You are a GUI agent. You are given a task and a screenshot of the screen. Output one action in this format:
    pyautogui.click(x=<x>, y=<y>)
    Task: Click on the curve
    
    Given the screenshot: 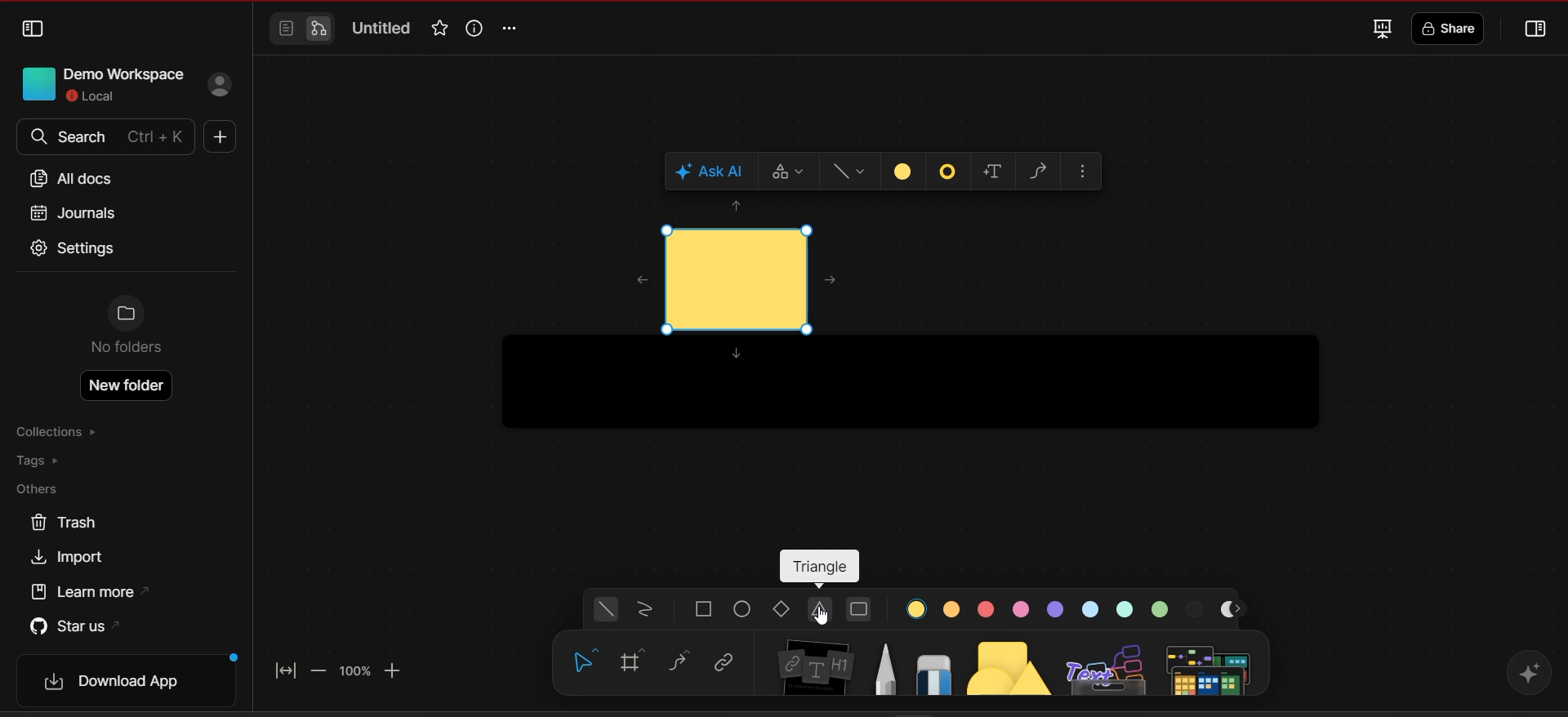 What is the action you would take?
    pyautogui.click(x=681, y=661)
    